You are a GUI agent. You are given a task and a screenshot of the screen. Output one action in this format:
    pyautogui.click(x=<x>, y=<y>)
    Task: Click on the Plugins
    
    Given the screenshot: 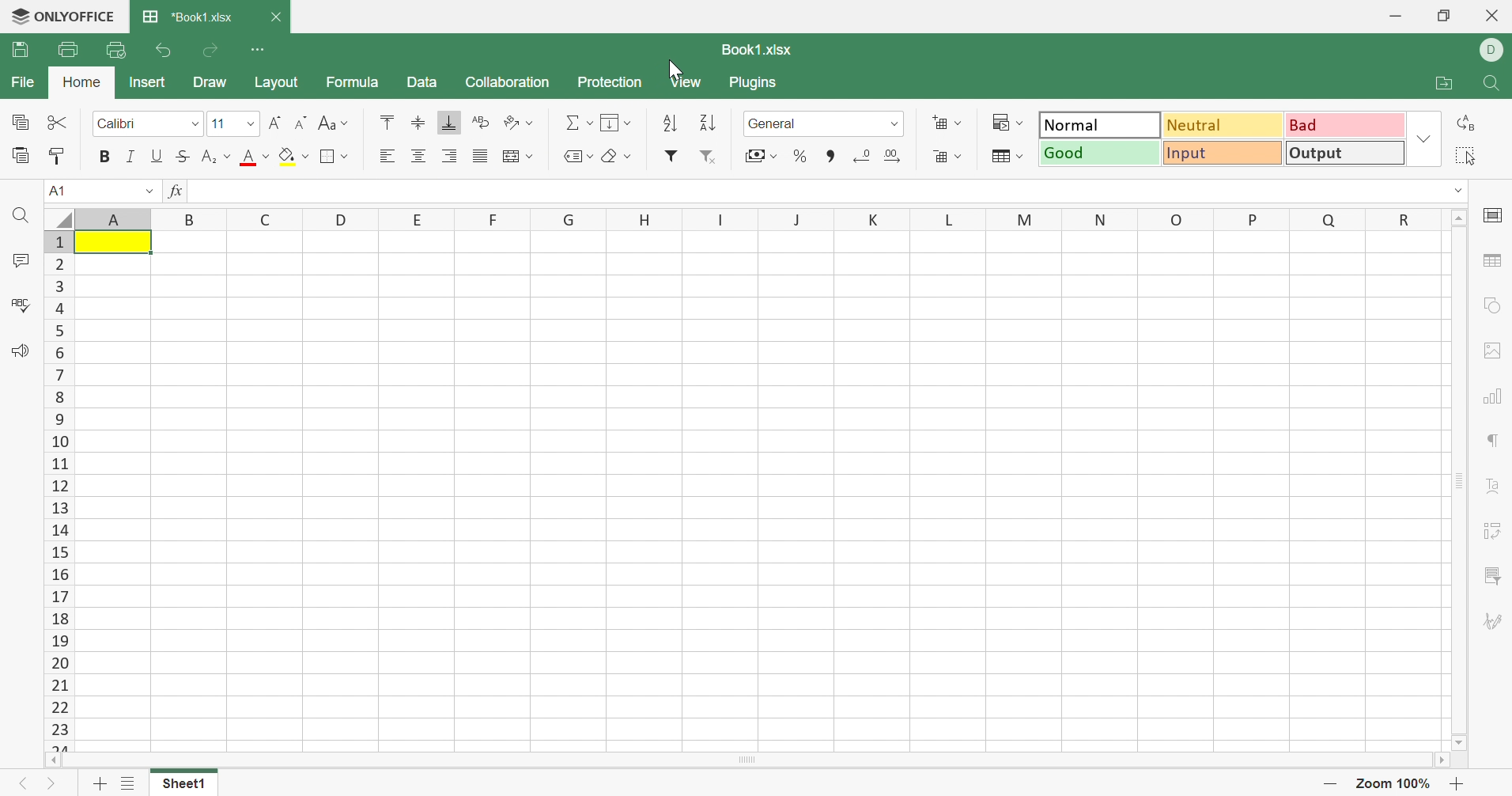 What is the action you would take?
    pyautogui.click(x=754, y=81)
    